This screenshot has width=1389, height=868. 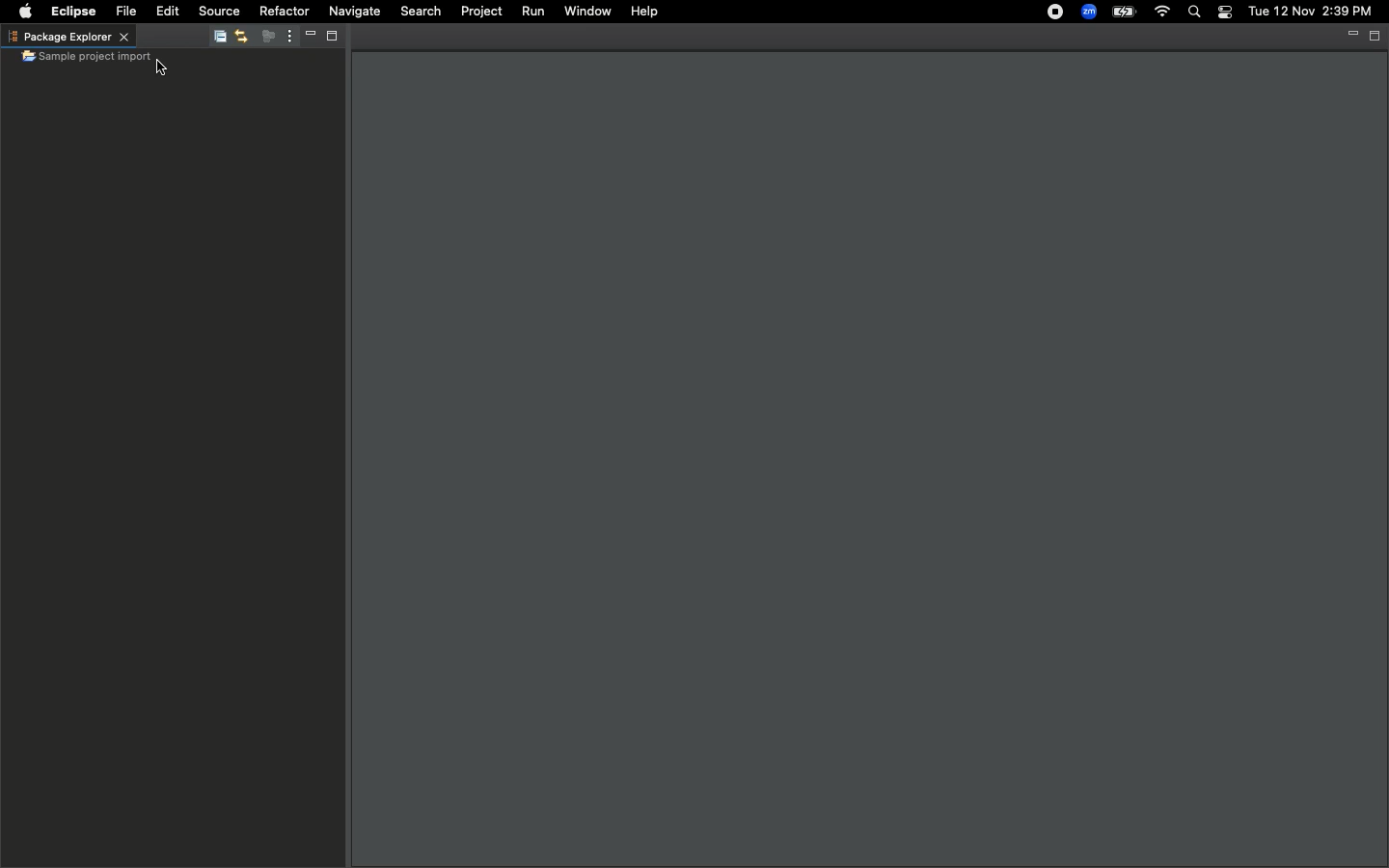 What do you see at coordinates (25, 10) in the screenshot?
I see `Apple logo` at bounding box center [25, 10].